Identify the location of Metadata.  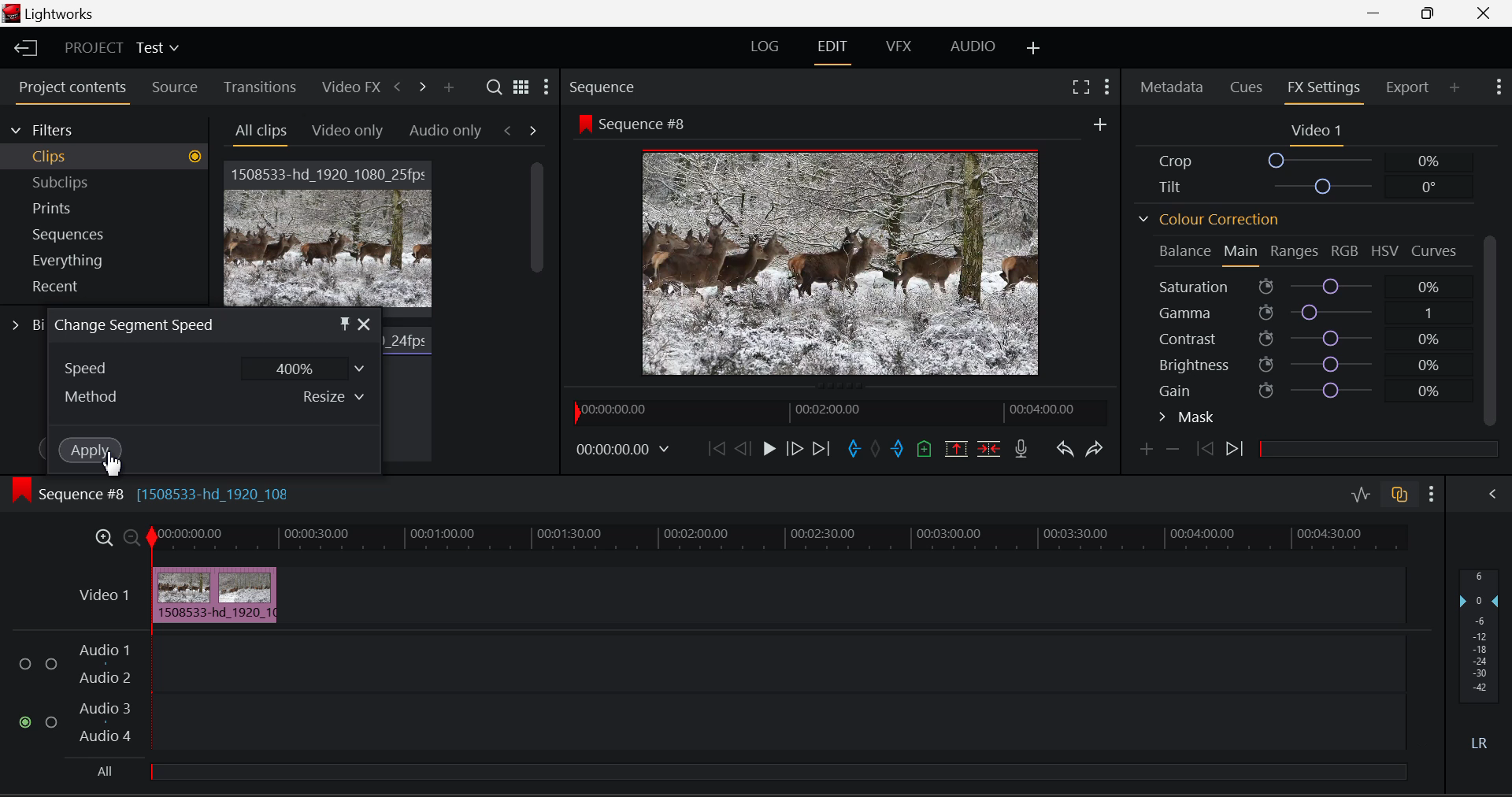
(1170, 87).